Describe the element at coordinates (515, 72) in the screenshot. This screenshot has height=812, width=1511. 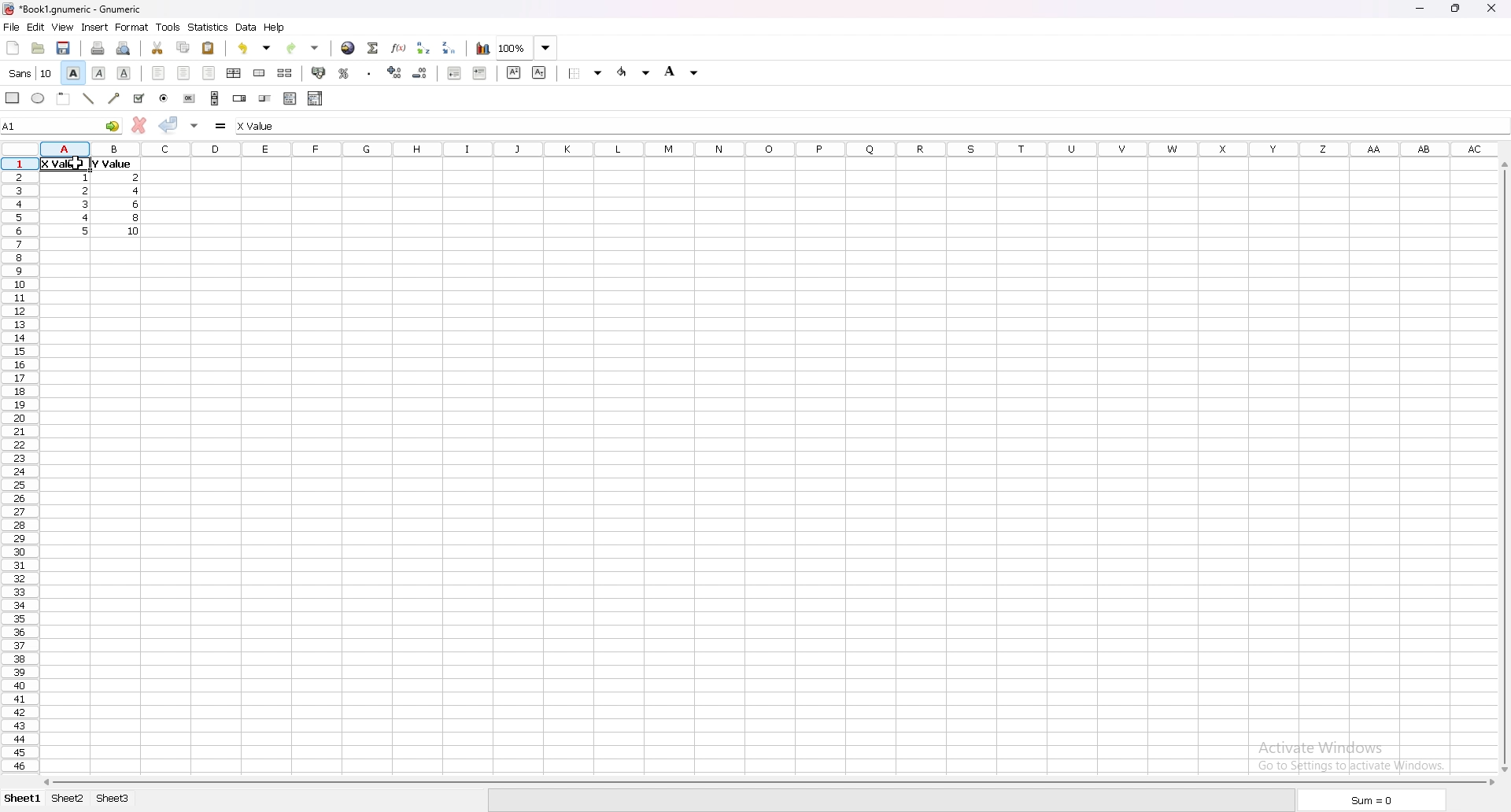
I see `superscript` at that location.